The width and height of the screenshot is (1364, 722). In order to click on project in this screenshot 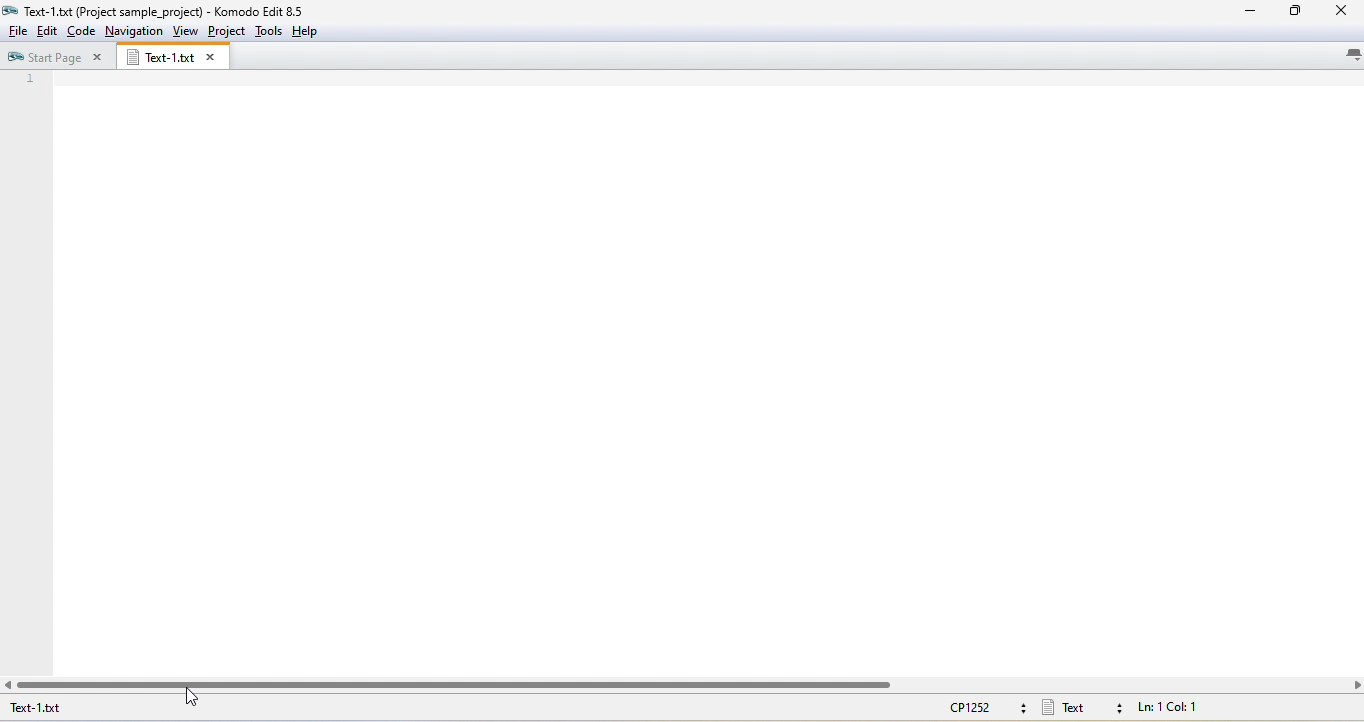, I will do `click(226, 32)`.